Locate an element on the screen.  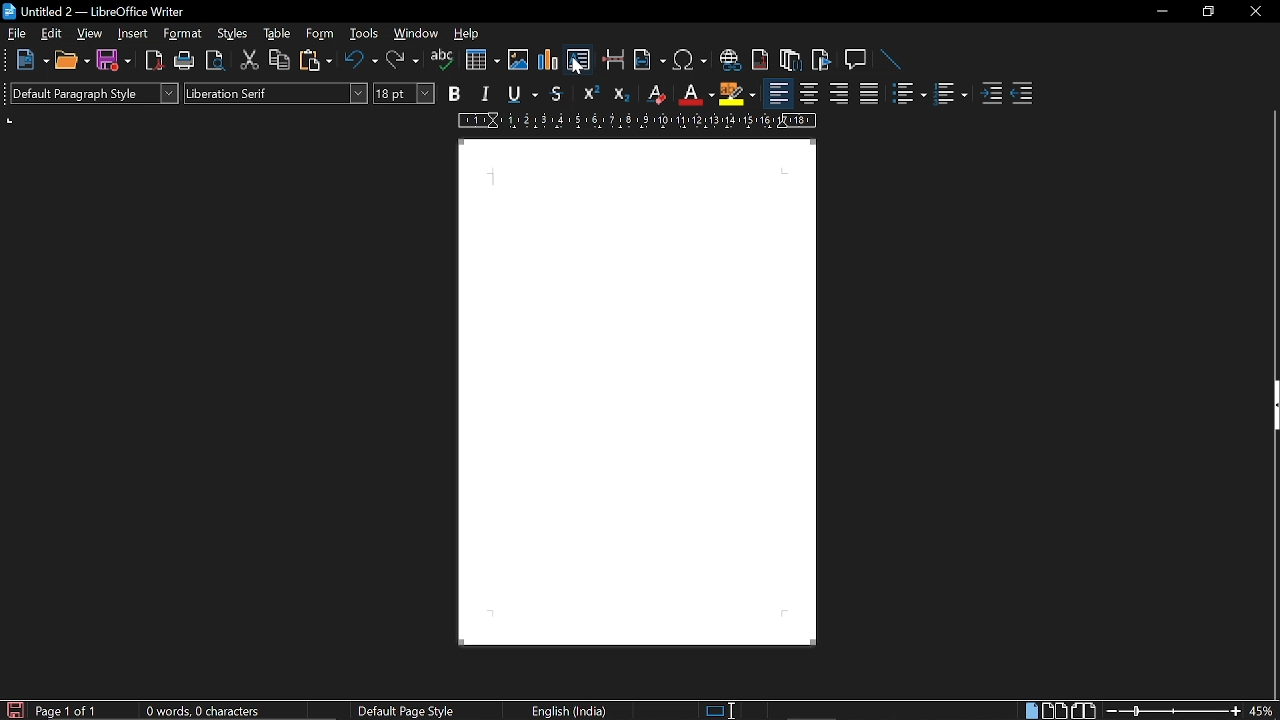
cut is located at coordinates (247, 63).